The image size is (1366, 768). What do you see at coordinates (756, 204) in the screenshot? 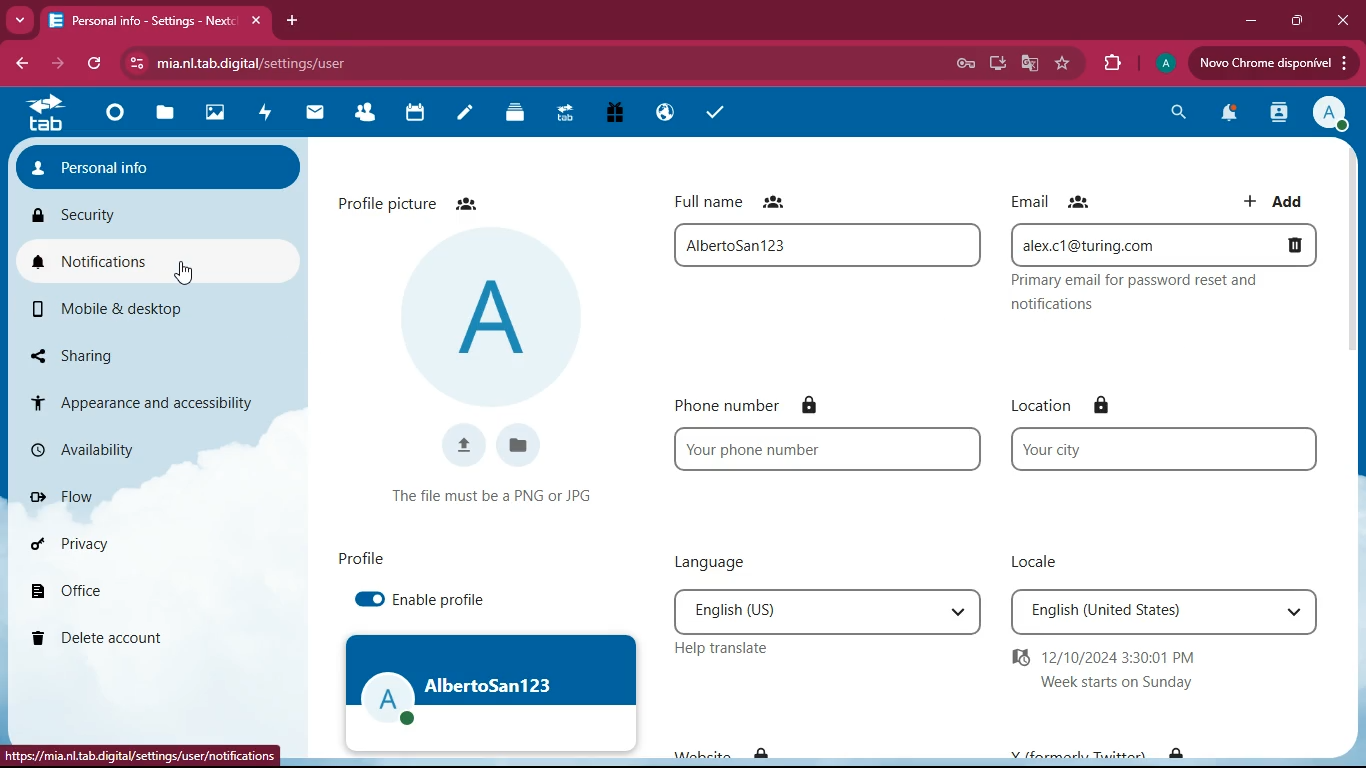
I see `full name` at bounding box center [756, 204].